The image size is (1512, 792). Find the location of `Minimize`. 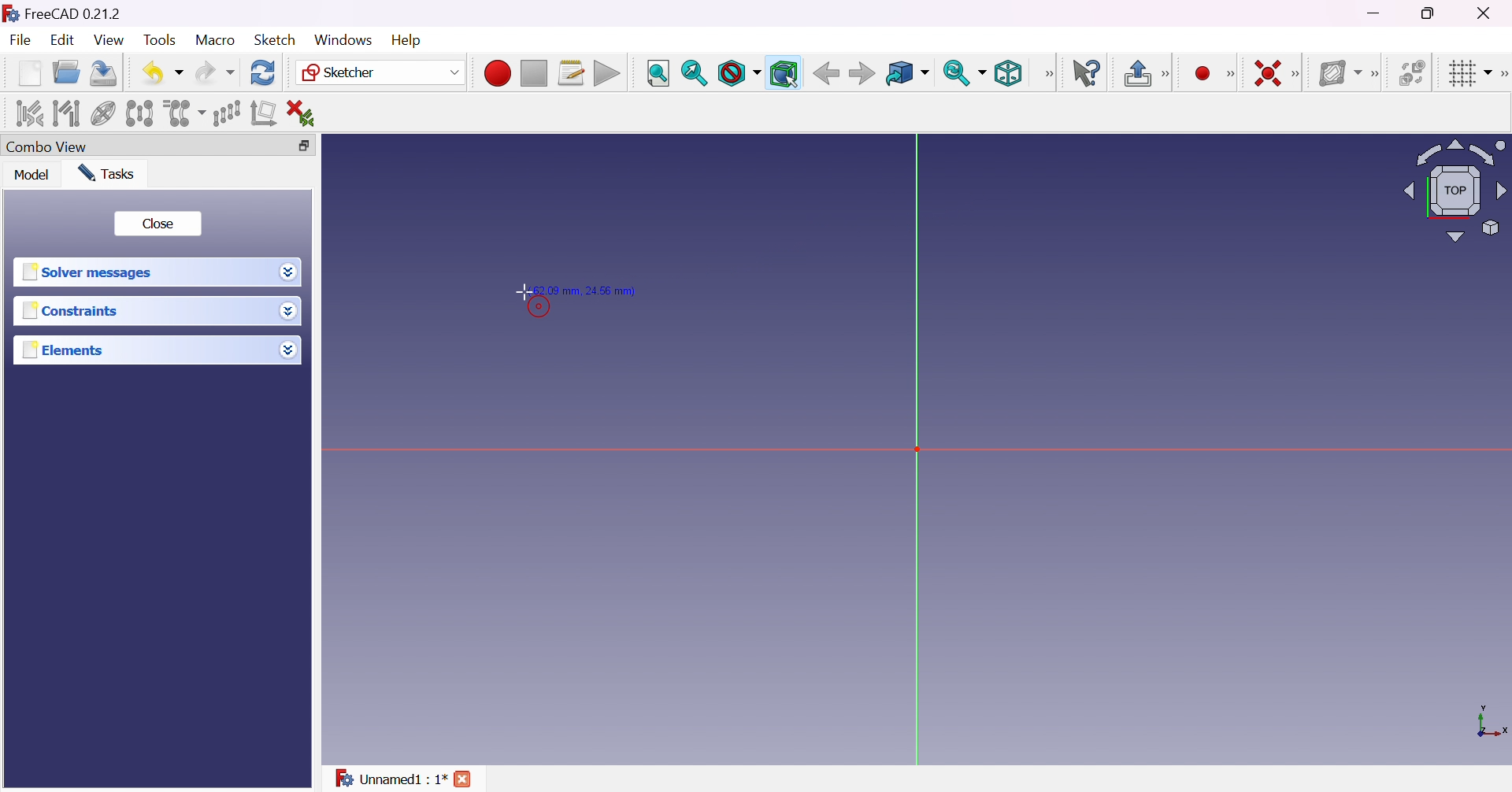

Minimize is located at coordinates (1377, 13).